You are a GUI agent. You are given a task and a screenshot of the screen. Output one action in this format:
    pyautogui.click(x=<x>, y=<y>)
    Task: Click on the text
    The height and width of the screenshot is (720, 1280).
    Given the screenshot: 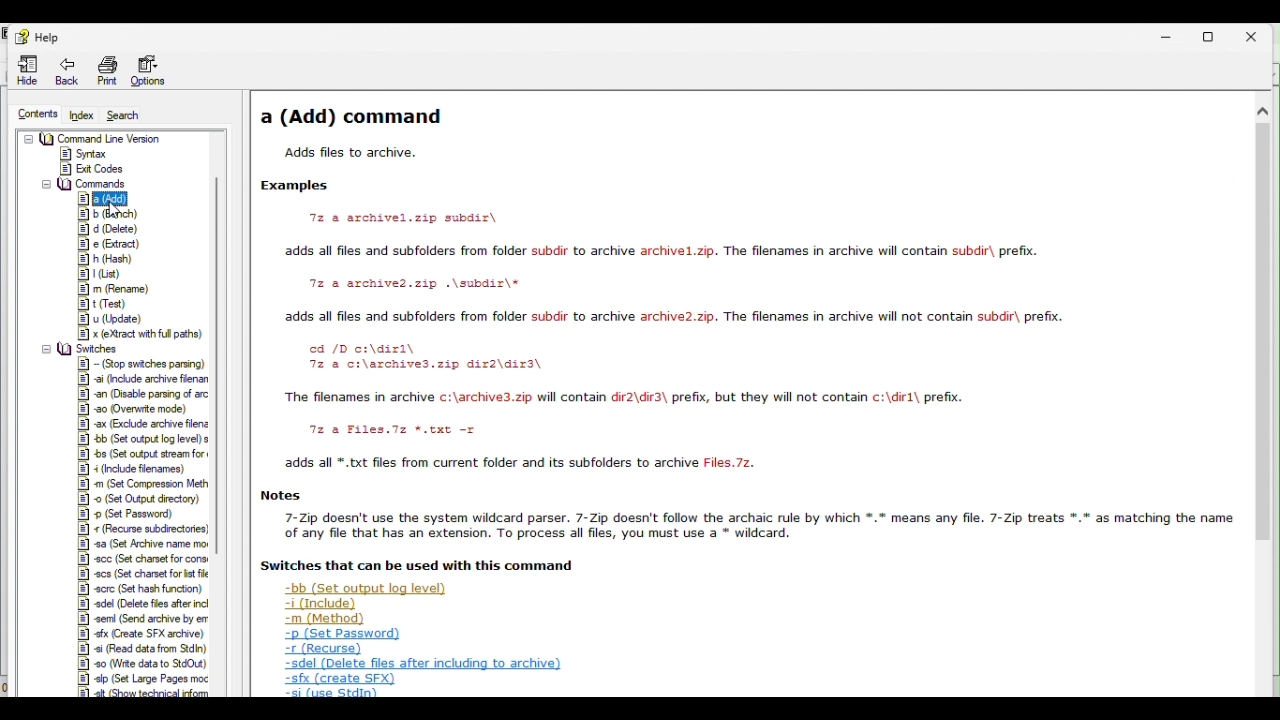 What is the action you would take?
    pyautogui.click(x=523, y=463)
    